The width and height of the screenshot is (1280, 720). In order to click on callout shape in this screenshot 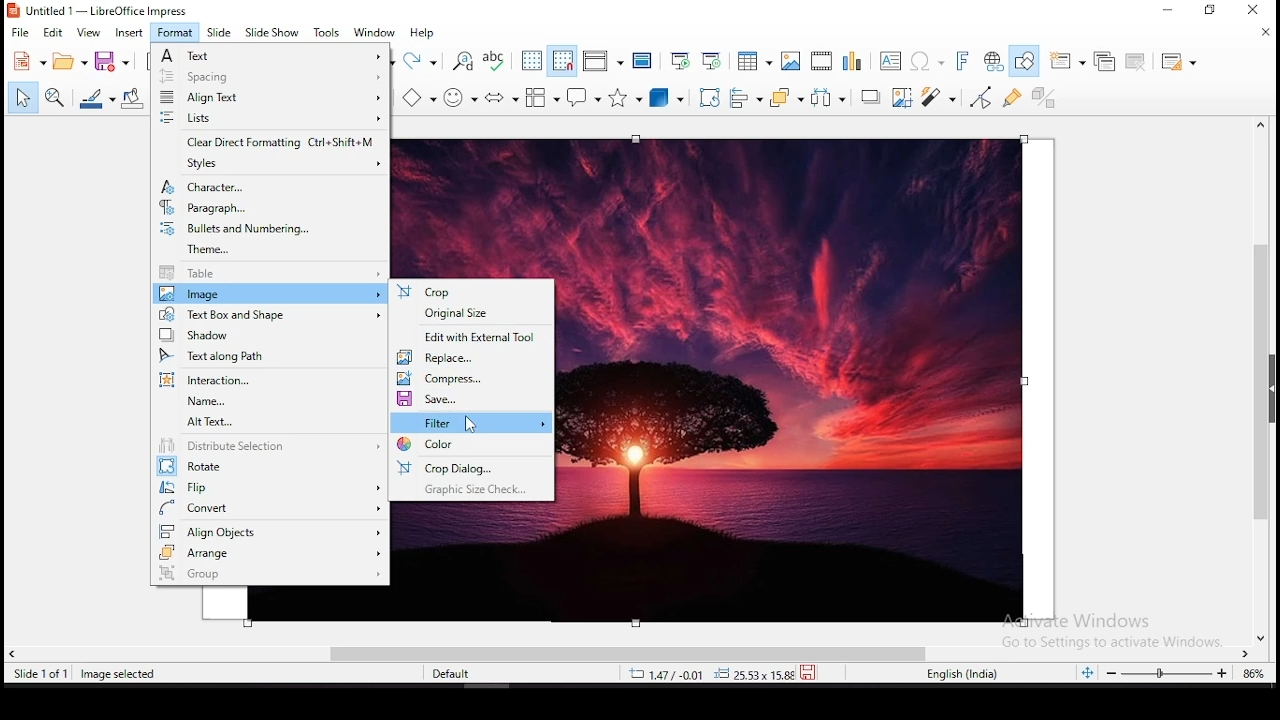, I will do `click(584, 101)`.